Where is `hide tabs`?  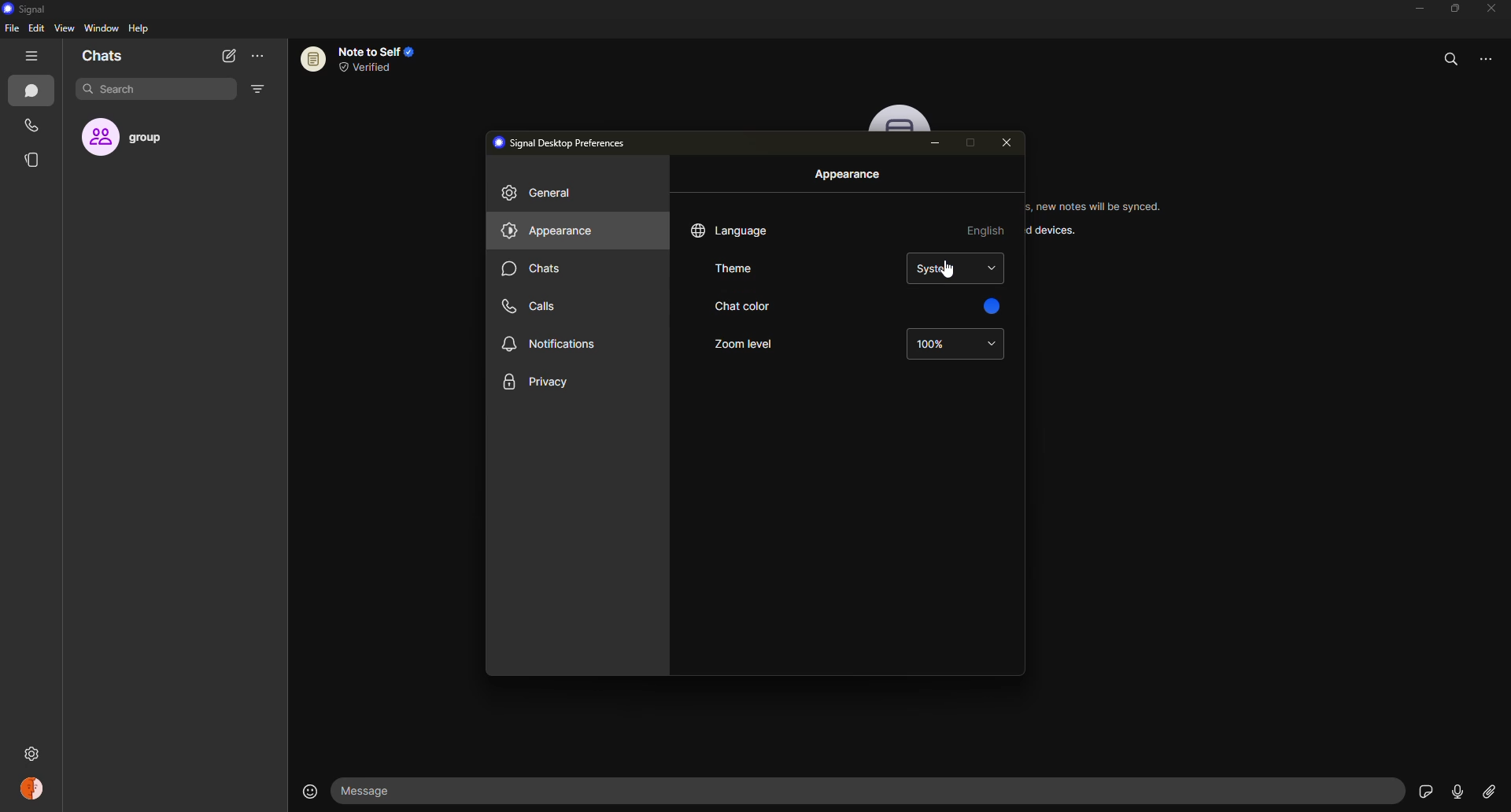 hide tabs is located at coordinates (33, 57).